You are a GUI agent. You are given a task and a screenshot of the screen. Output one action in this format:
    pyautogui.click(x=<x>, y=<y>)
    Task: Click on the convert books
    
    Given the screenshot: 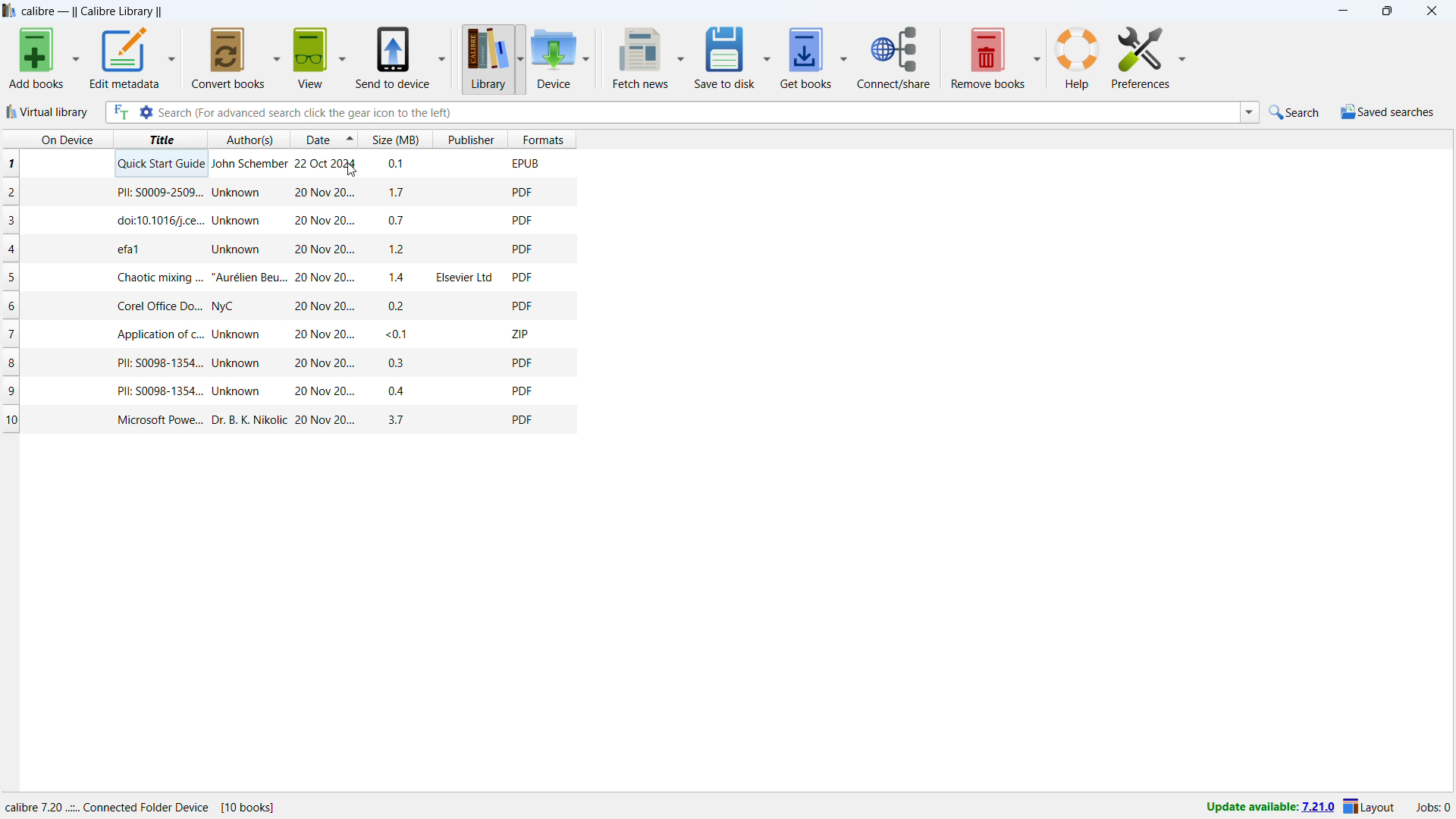 What is the action you would take?
    pyautogui.click(x=229, y=58)
    